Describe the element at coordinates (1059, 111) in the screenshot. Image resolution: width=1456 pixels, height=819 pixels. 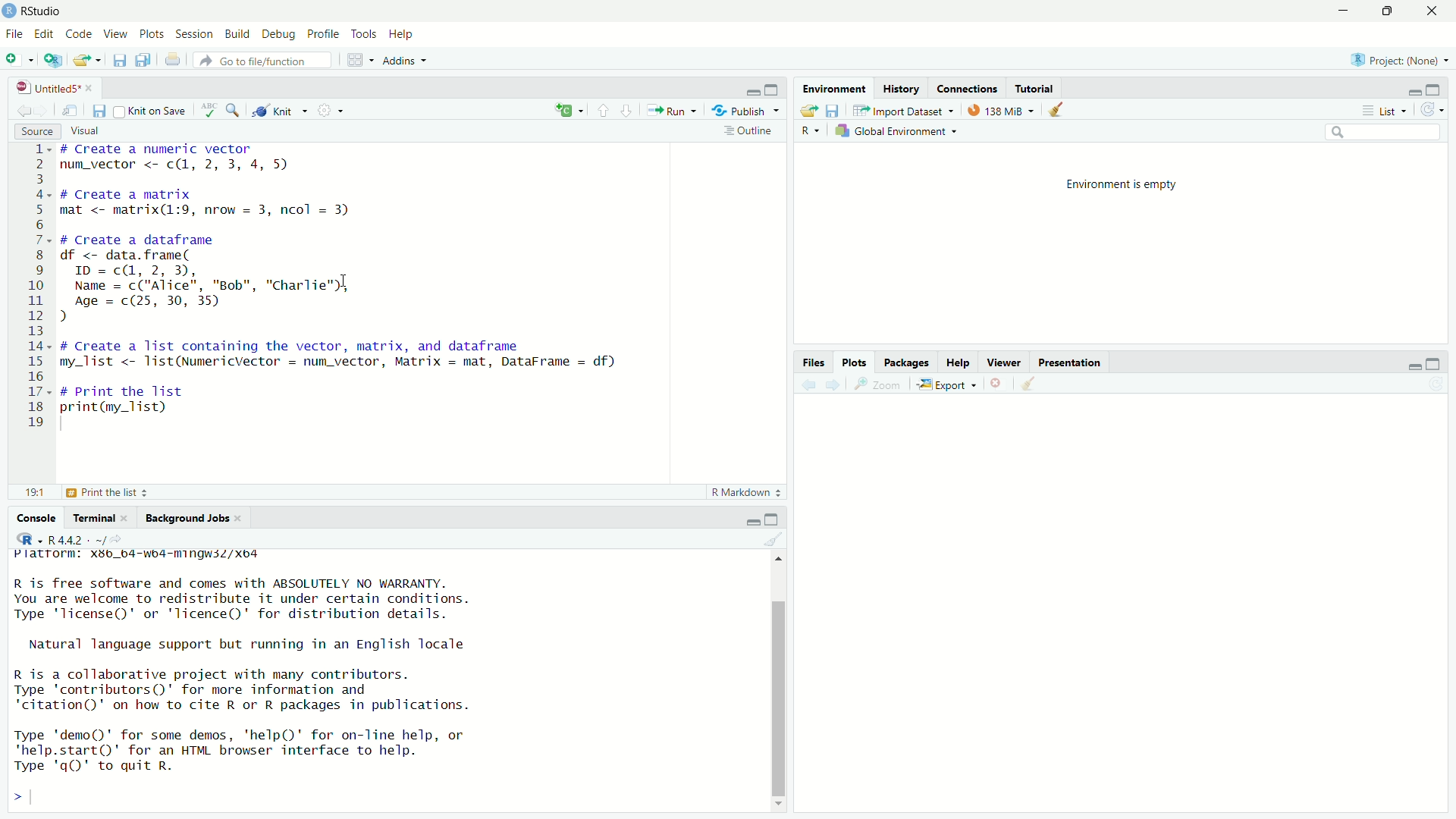
I see `clear` at that location.